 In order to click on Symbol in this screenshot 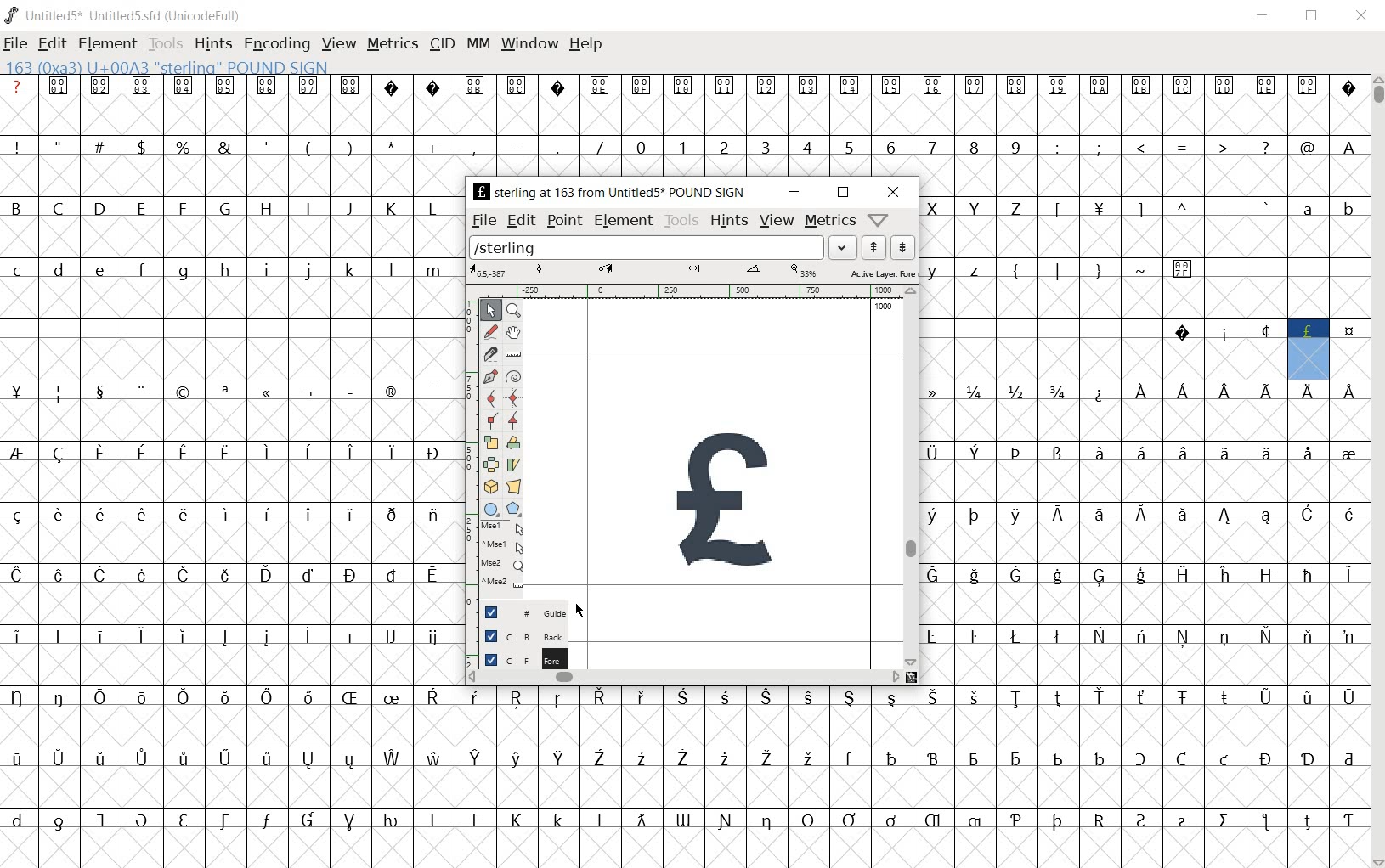, I will do `click(1307, 453)`.